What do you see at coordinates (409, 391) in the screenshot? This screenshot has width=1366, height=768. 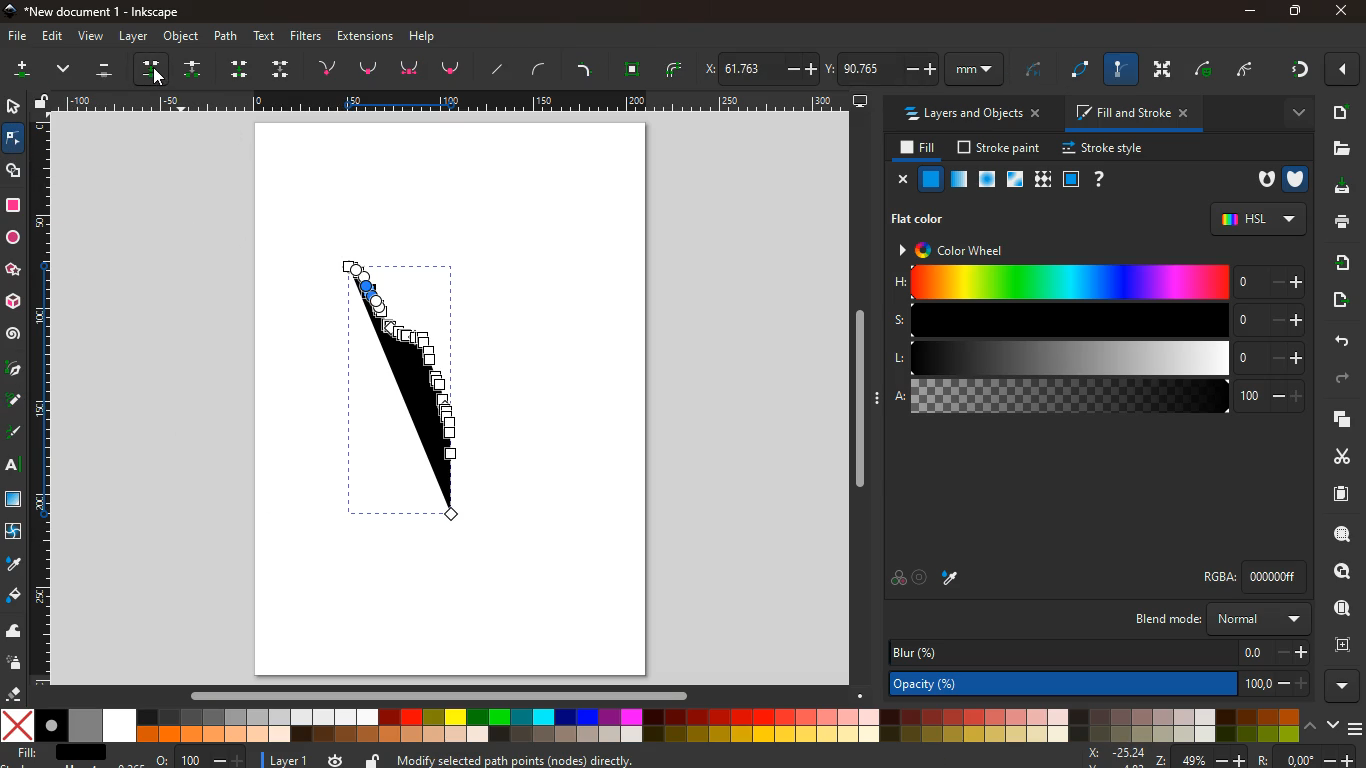 I see `draw` at bounding box center [409, 391].